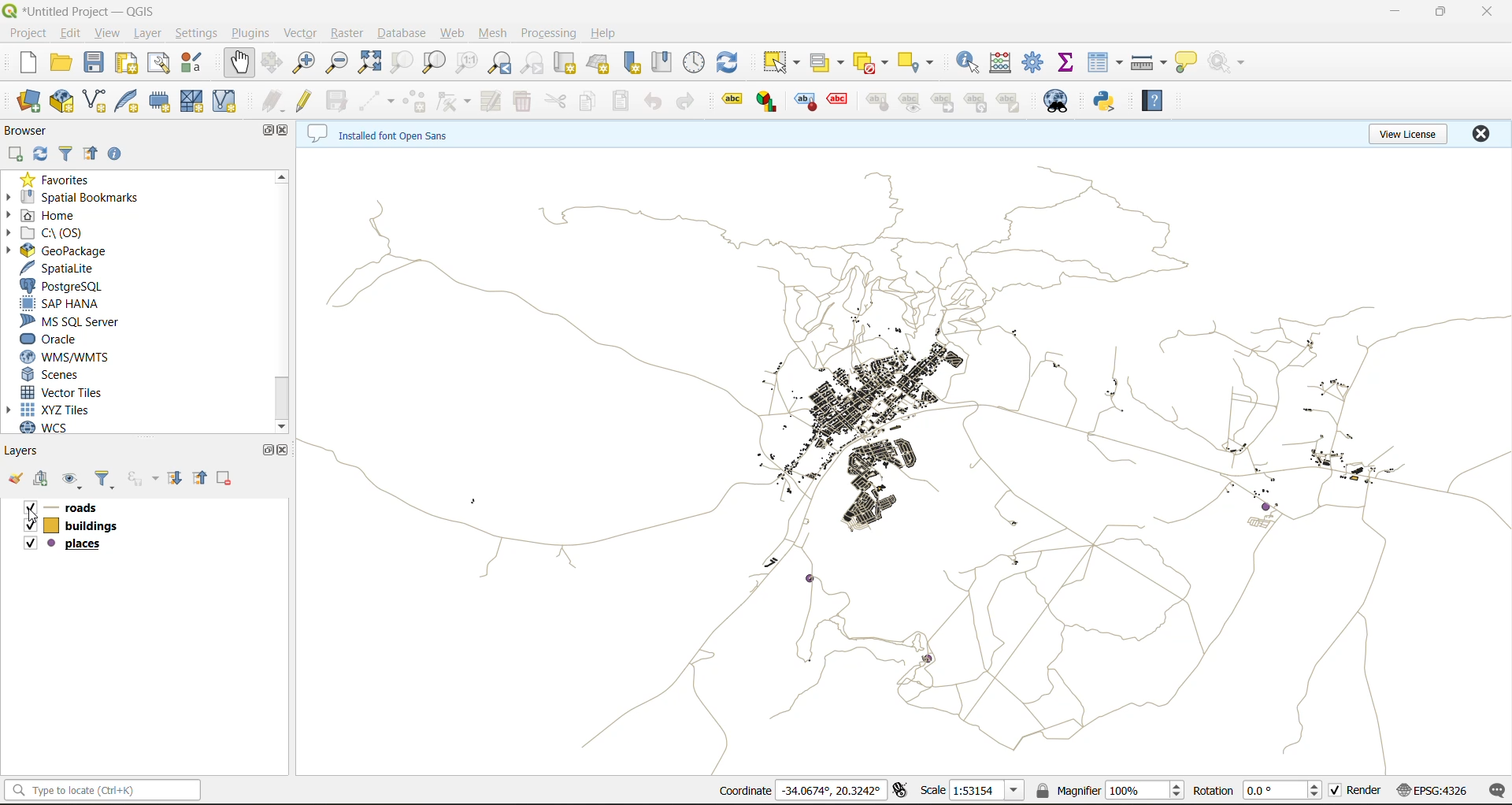 This screenshot has height=805, width=1512. Describe the element at coordinates (1396, 17) in the screenshot. I see `minimize` at that location.